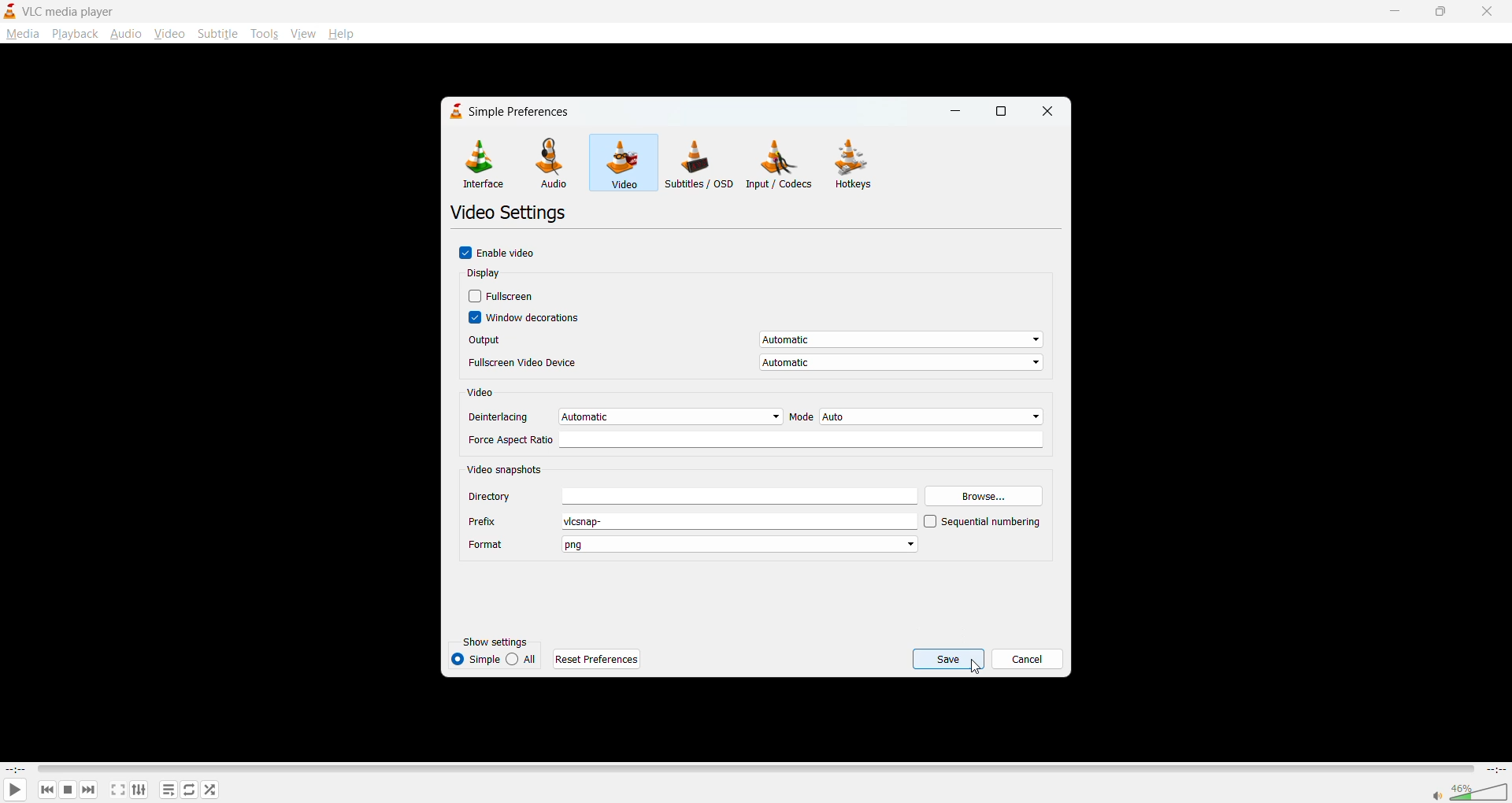  What do you see at coordinates (217, 34) in the screenshot?
I see `subtitle` at bounding box center [217, 34].